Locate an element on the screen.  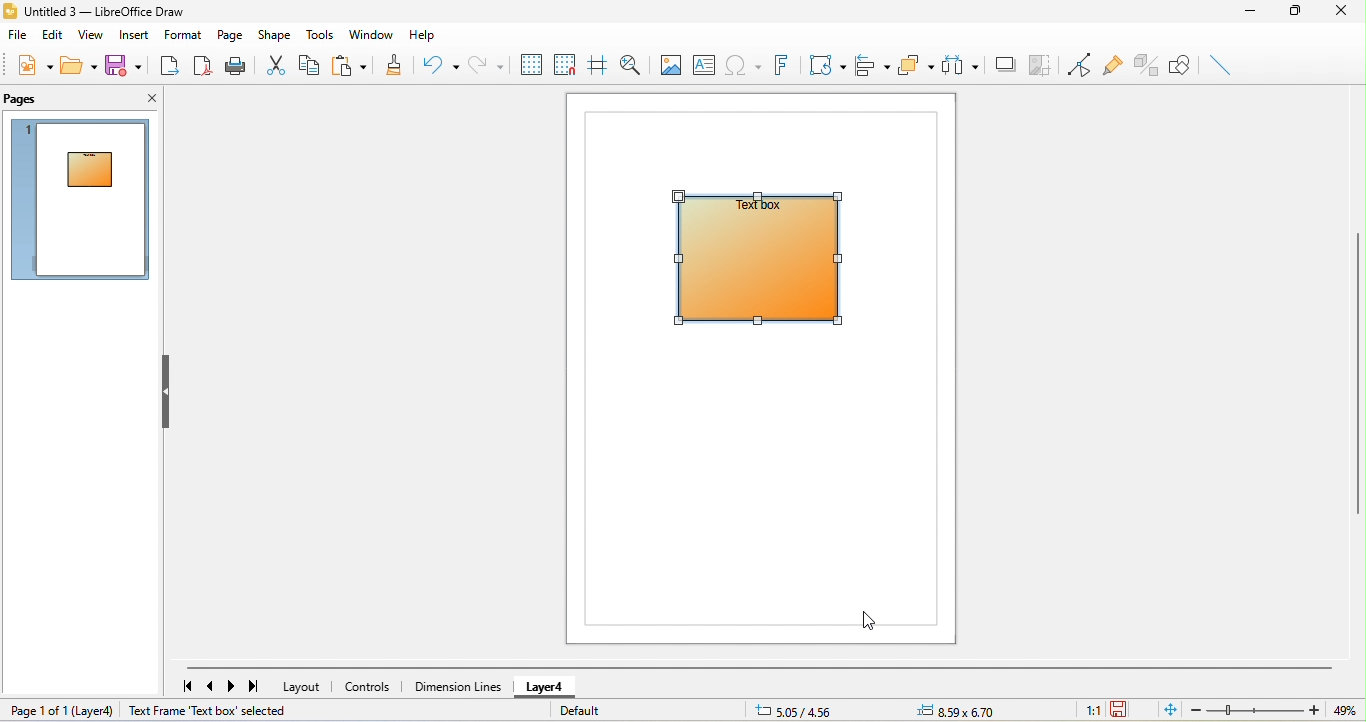
transformation is located at coordinates (827, 64).